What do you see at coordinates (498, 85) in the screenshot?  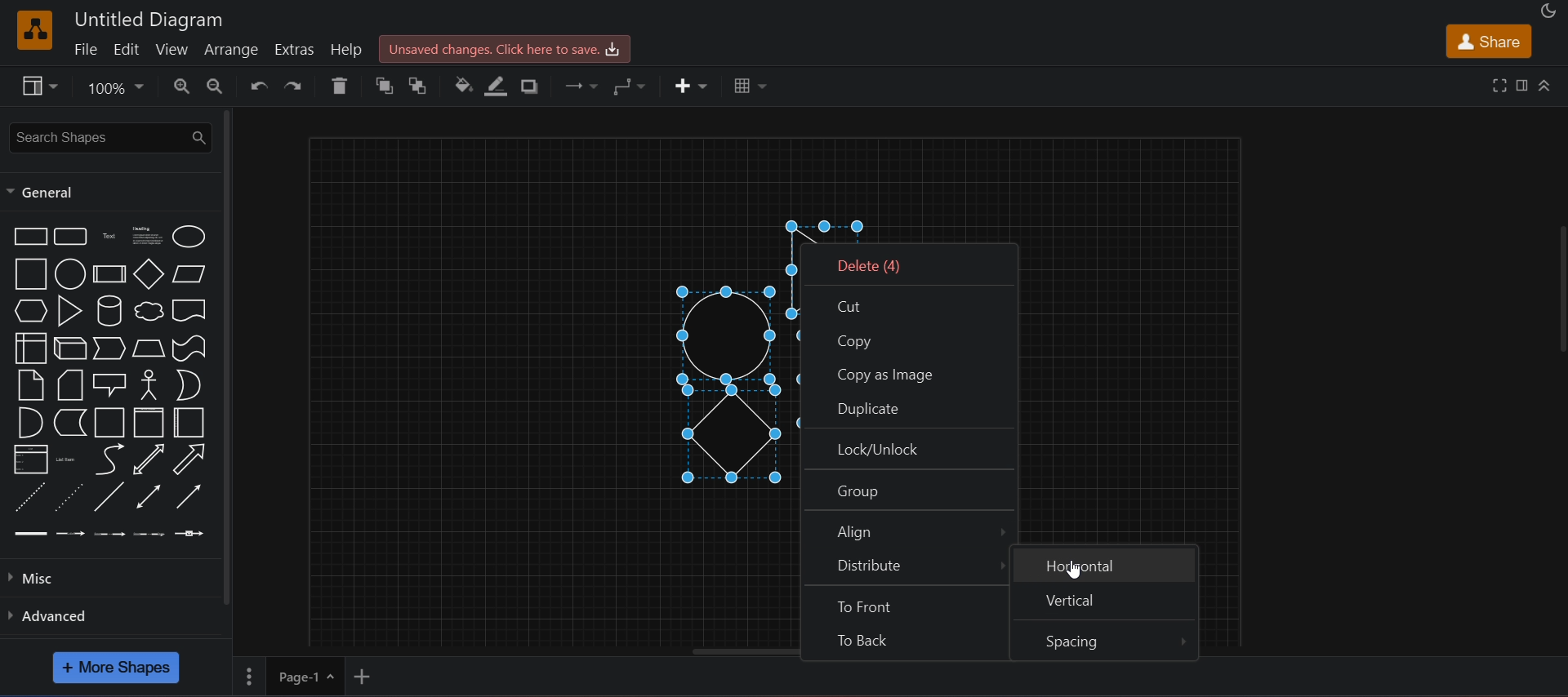 I see `line color` at bounding box center [498, 85].